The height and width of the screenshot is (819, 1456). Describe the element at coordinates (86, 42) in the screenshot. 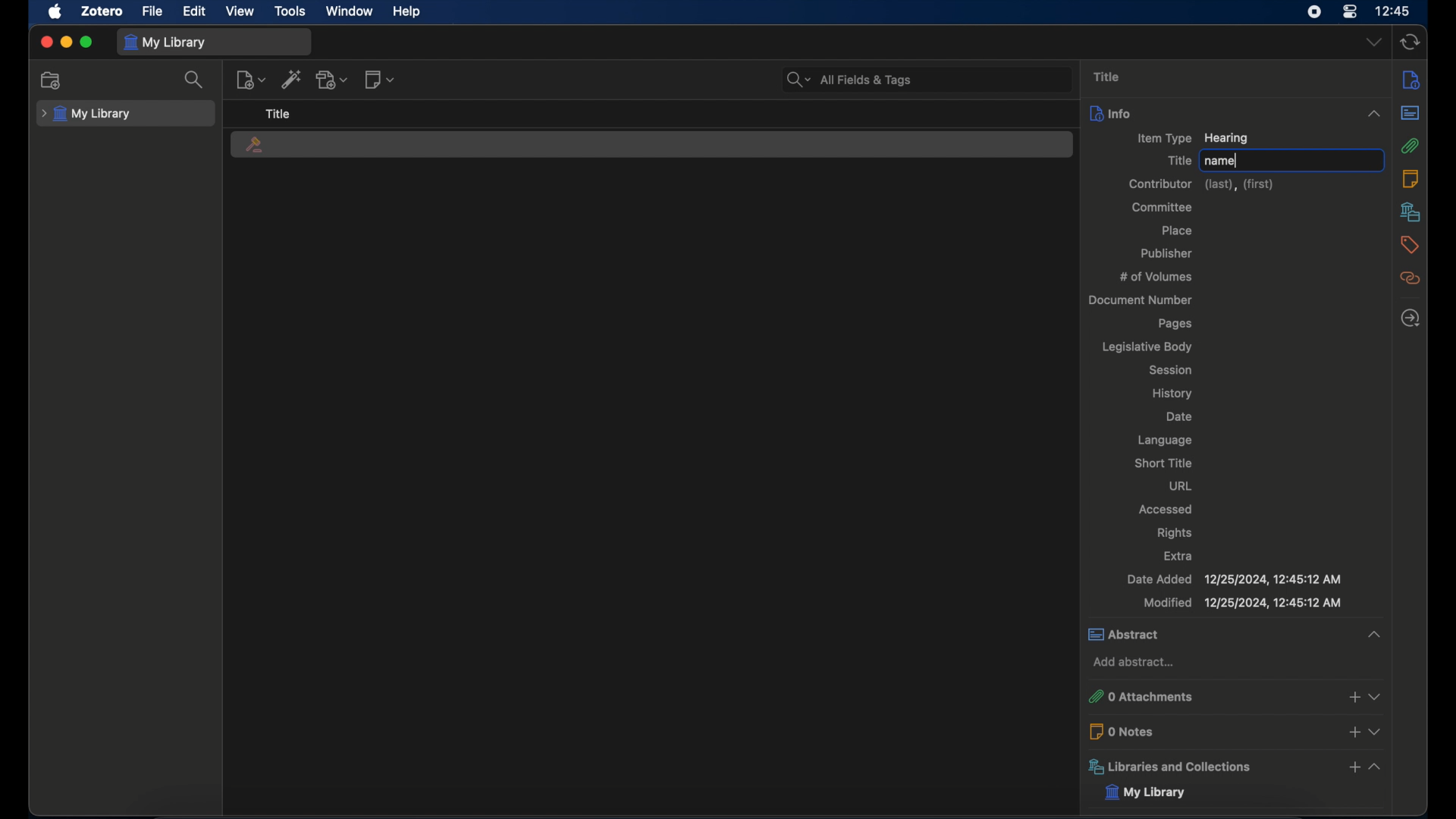

I see `maximize` at that location.